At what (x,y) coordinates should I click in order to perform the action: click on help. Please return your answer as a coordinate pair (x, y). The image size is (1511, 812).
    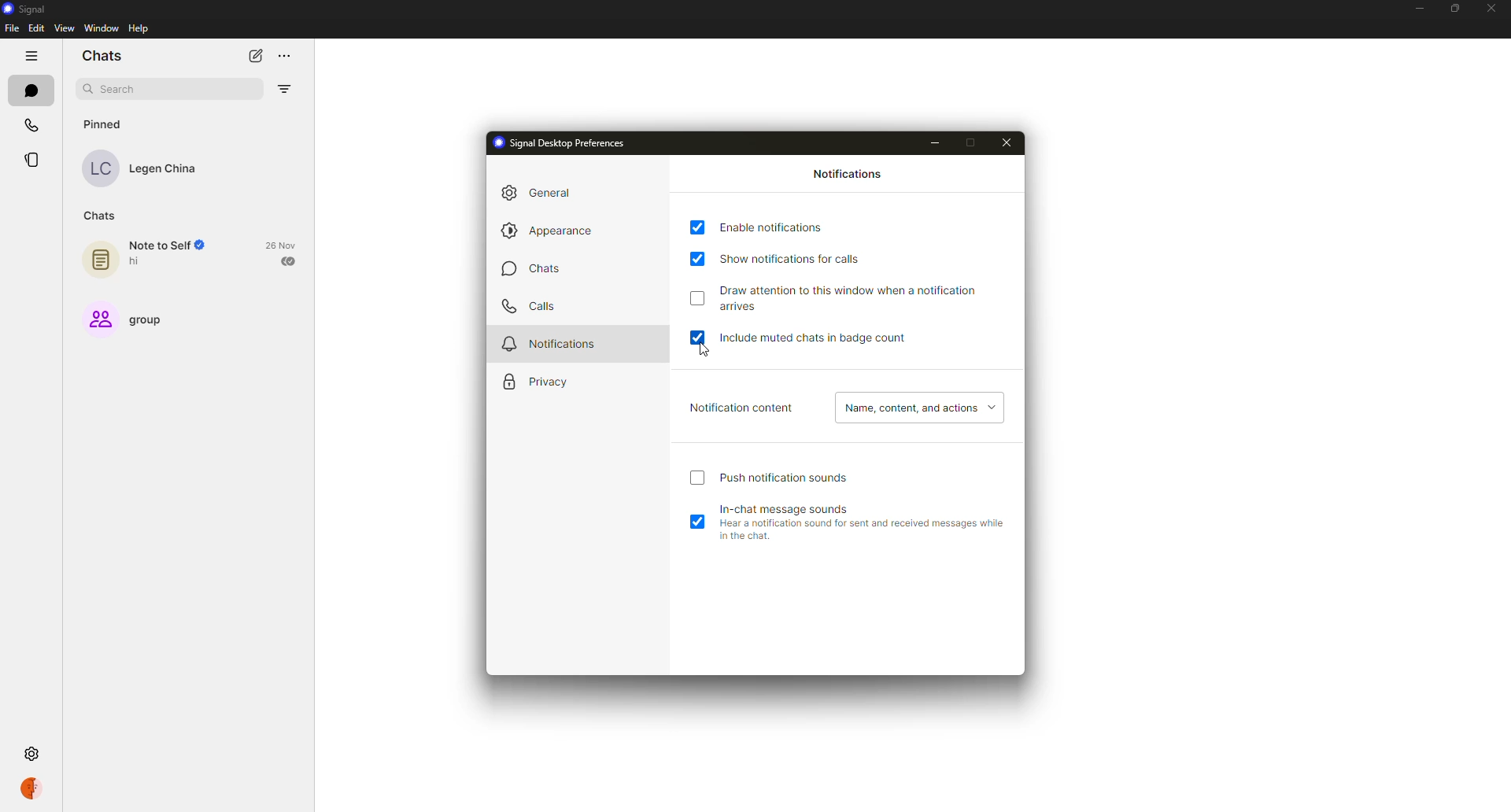
    Looking at the image, I should click on (140, 29).